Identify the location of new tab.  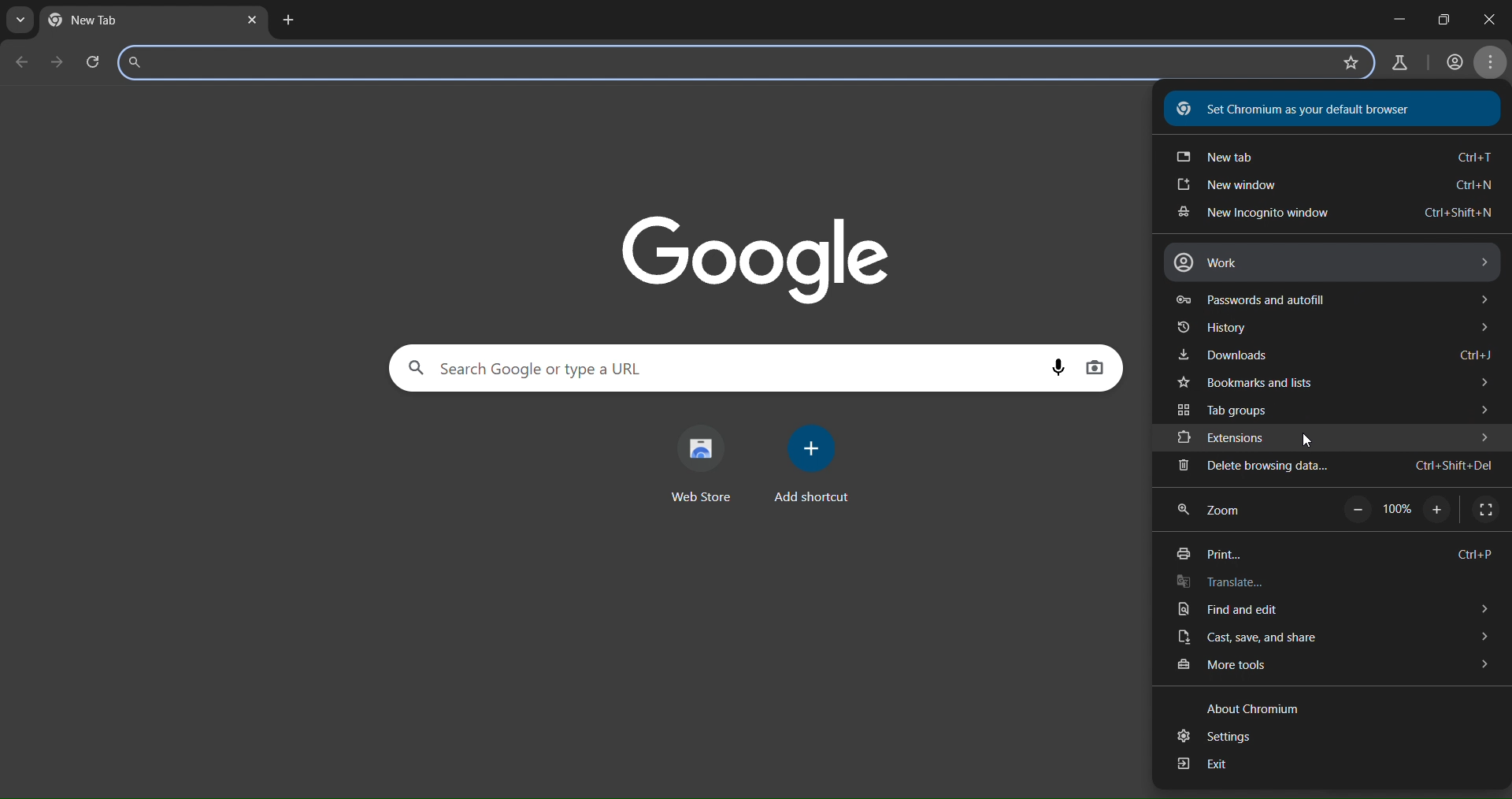
(287, 20).